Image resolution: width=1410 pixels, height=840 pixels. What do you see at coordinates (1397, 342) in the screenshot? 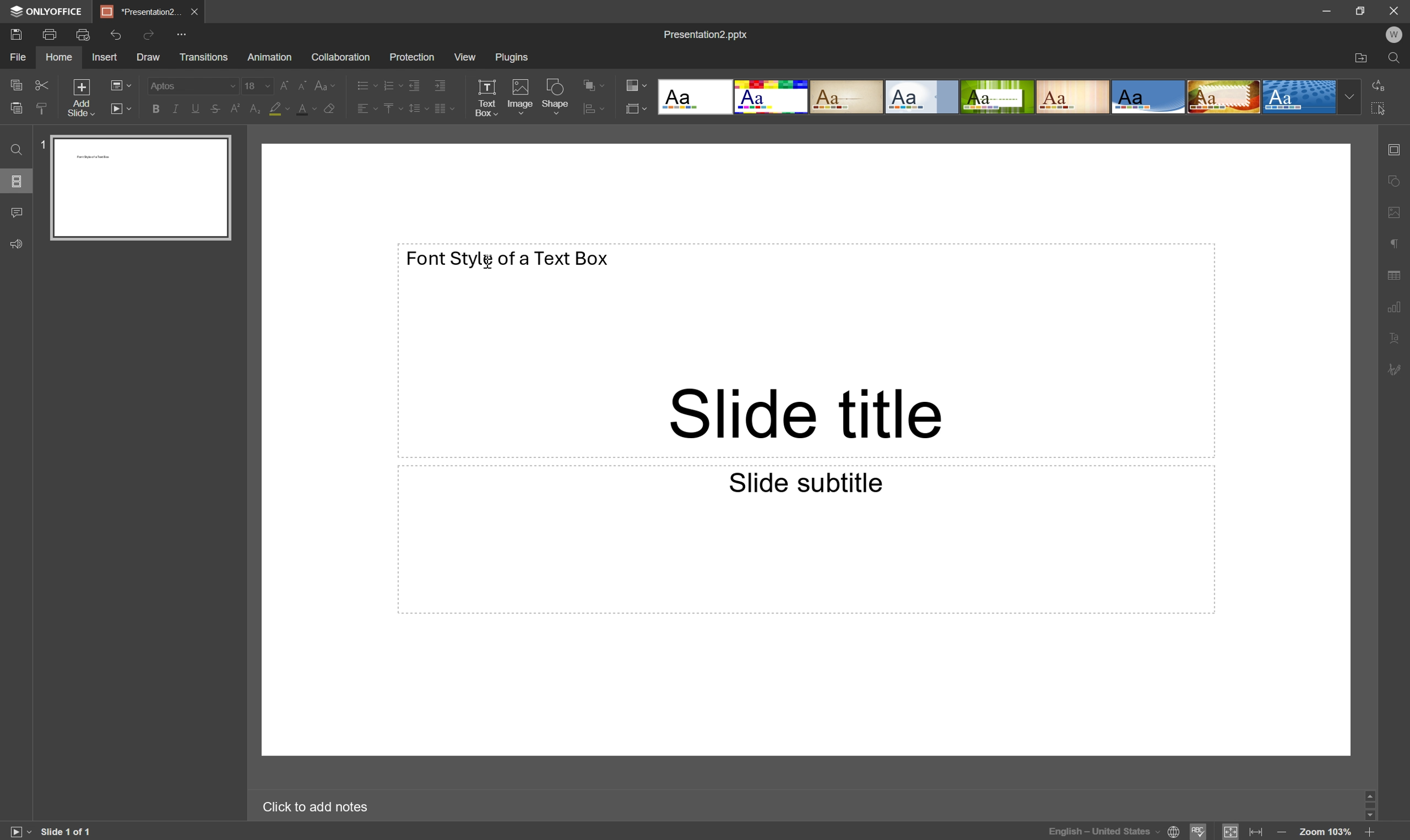
I see `Text Art settings` at bounding box center [1397, 342].